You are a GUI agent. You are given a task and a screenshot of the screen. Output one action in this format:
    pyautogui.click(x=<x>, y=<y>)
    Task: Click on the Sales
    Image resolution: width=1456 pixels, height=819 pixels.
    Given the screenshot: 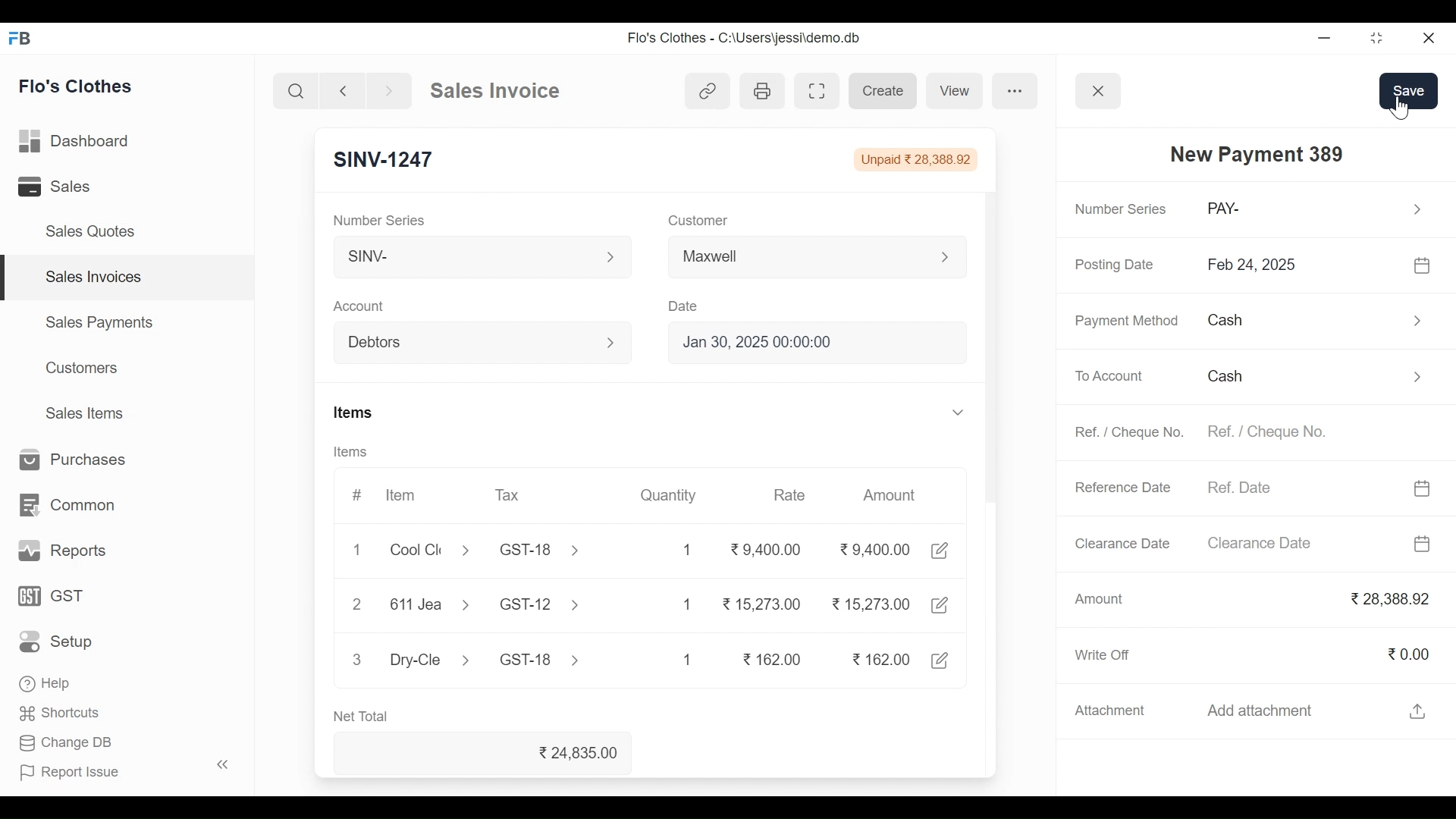 What is the action you would take?
    pyautogui.click(x=58, y=187)
    